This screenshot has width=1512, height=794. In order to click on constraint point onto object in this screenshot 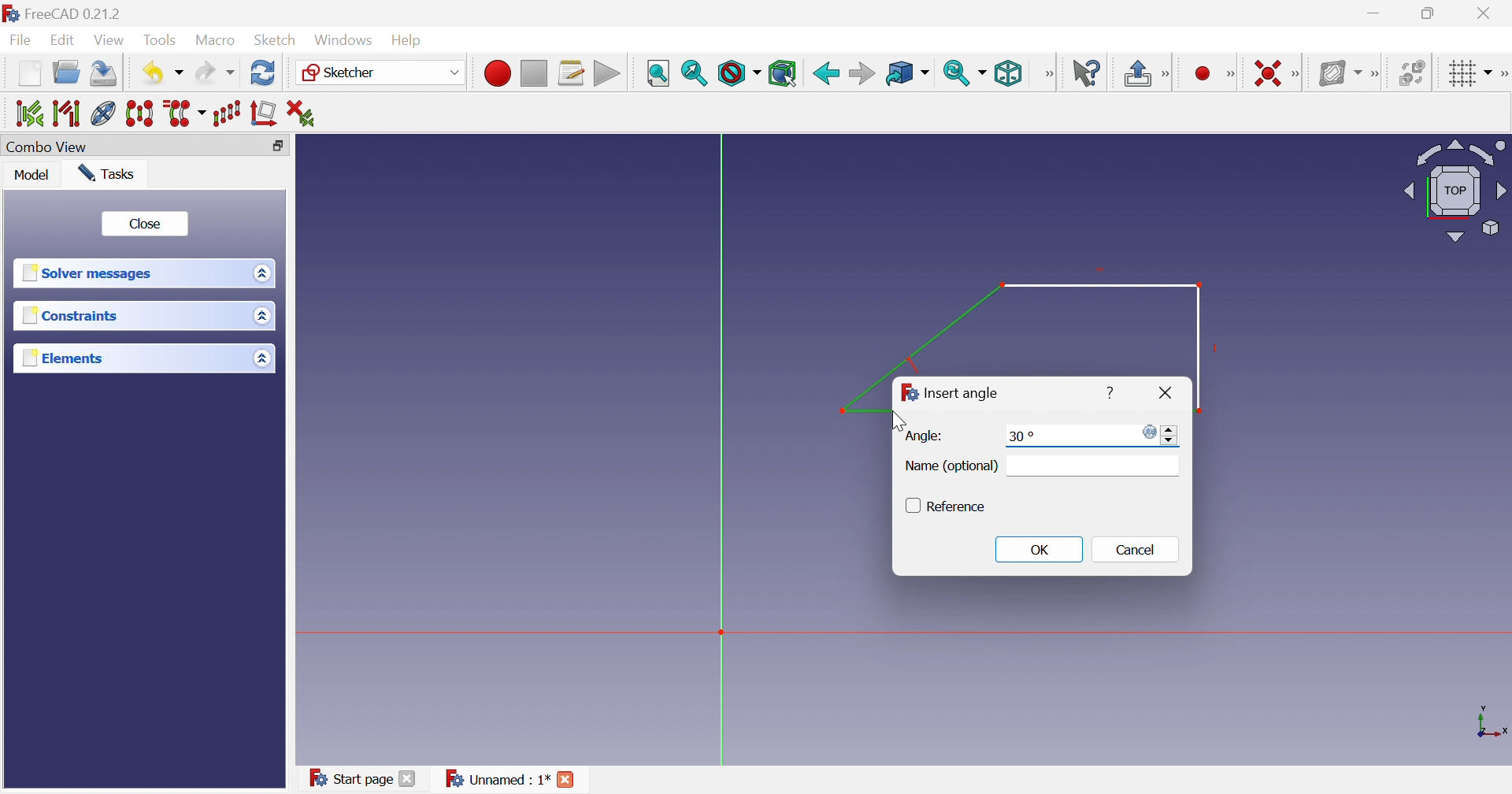, I will do `click(1175, 72)`.